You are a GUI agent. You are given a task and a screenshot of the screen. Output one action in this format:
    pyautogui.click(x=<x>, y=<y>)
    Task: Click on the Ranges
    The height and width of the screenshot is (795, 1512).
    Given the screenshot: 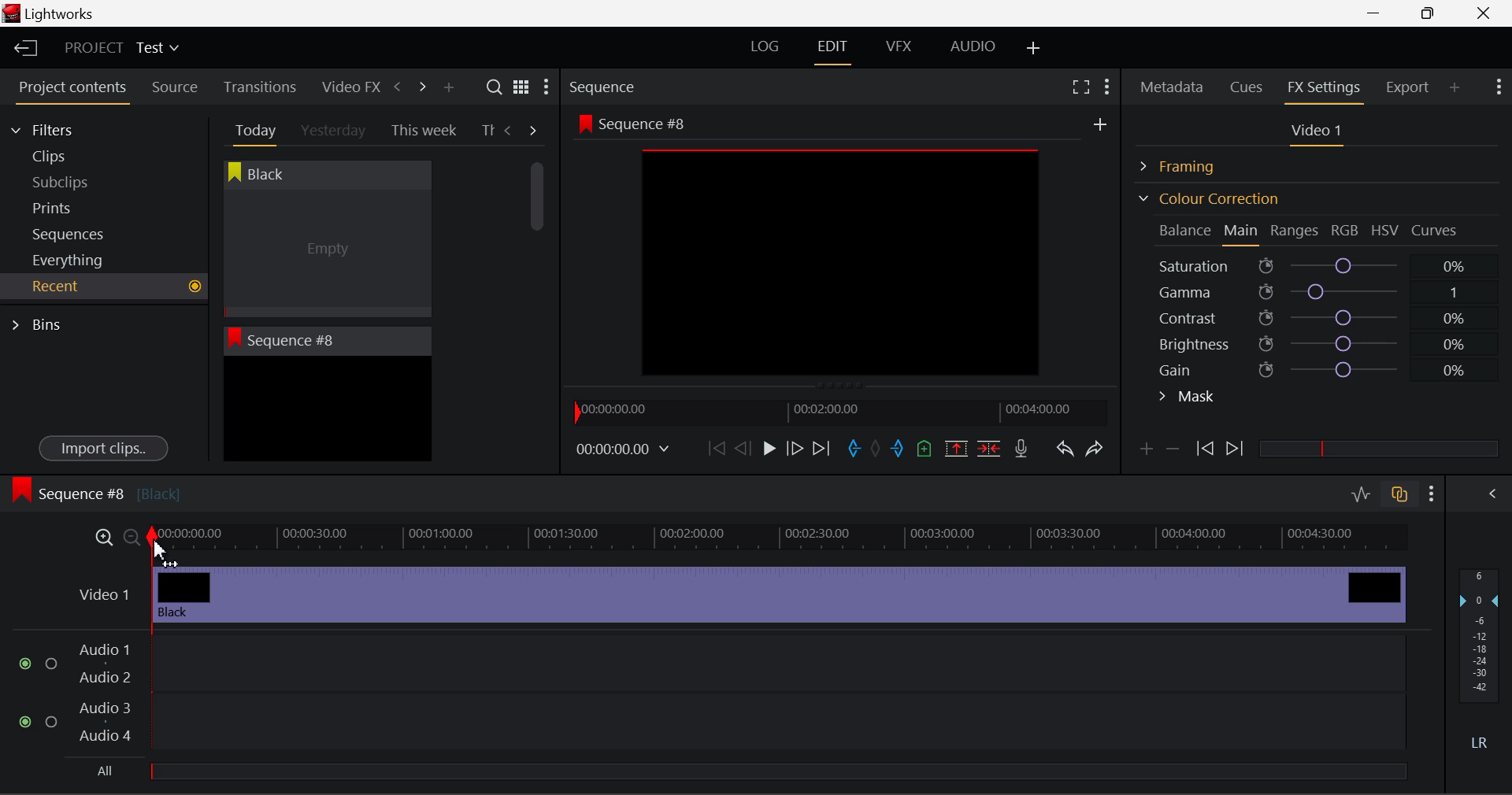 What is the action you would take?
    pyautogui.click(x=1295, y=232)
    